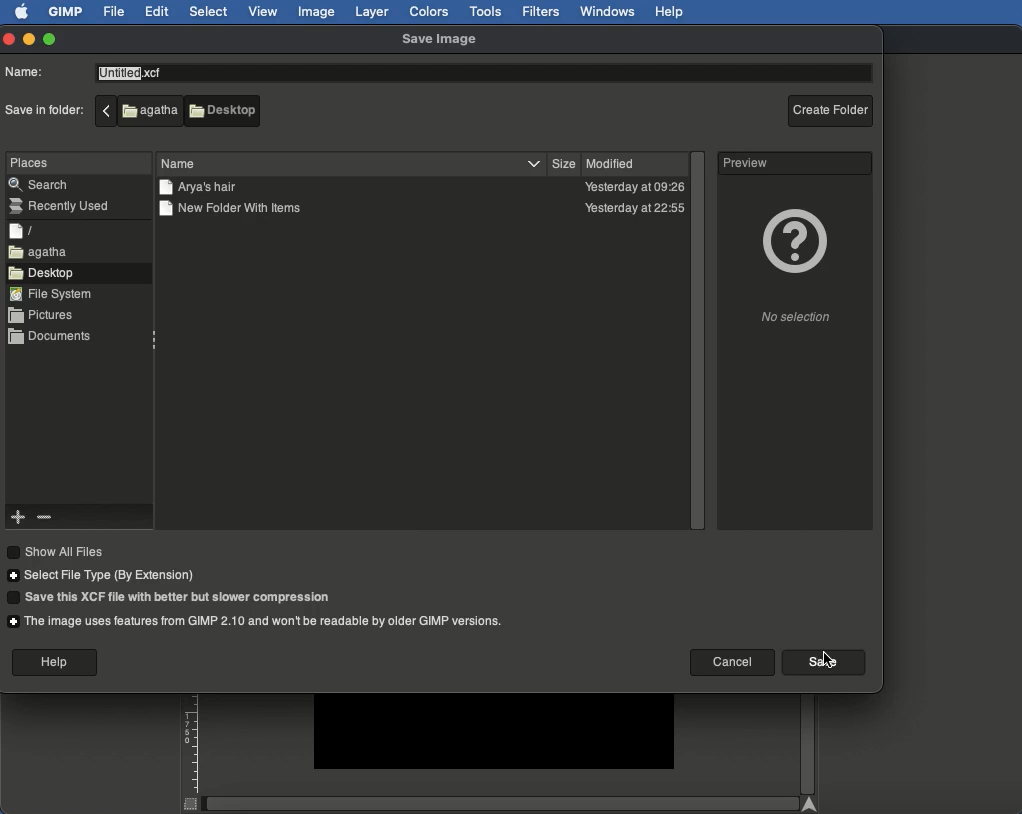 This screenshot has height=814, width=1022. Describe the element at coordinates (258, 621) in the screenshot. I see `Image uses features from GIMP 2.10` at that location.